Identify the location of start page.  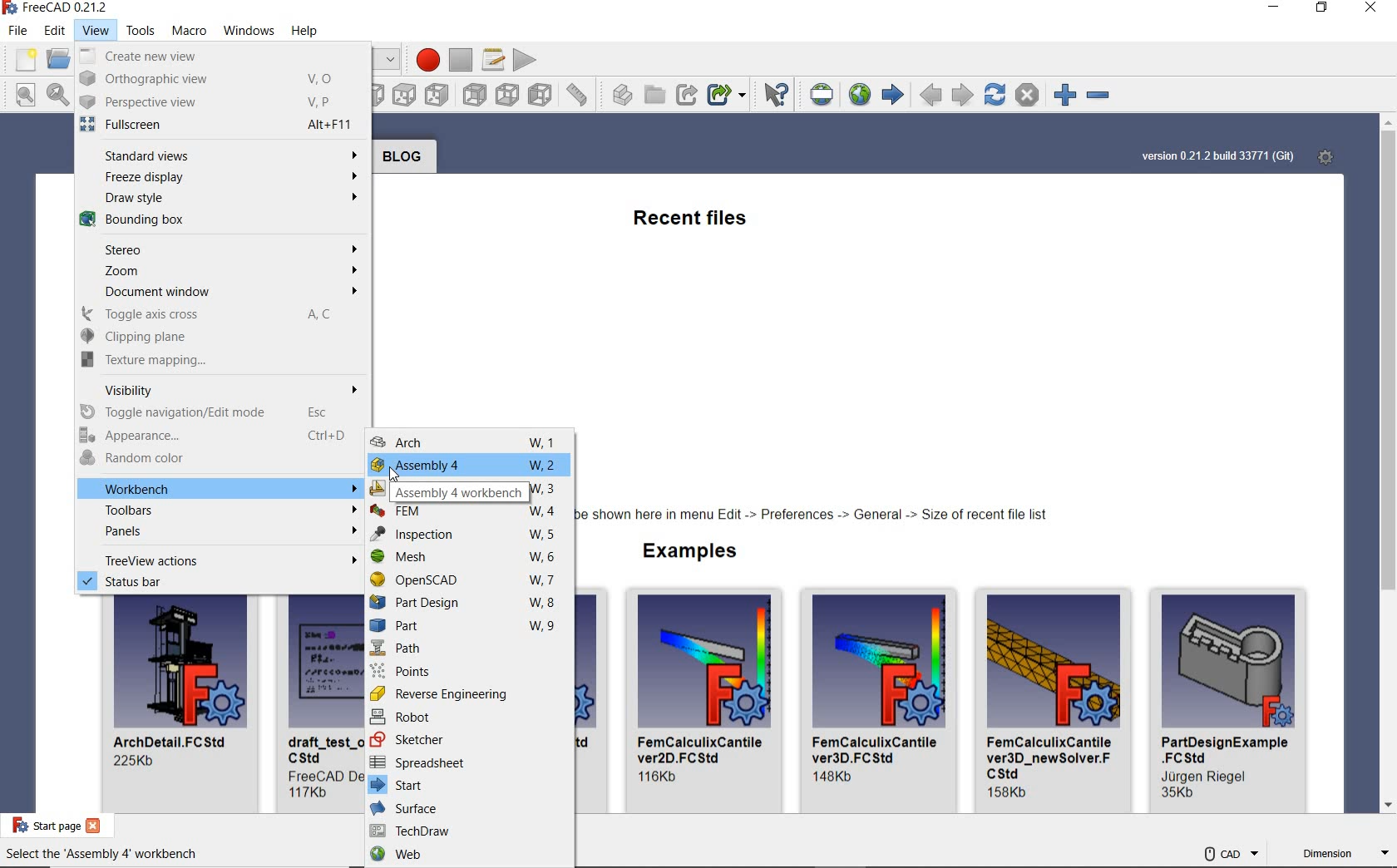
(43, 827).